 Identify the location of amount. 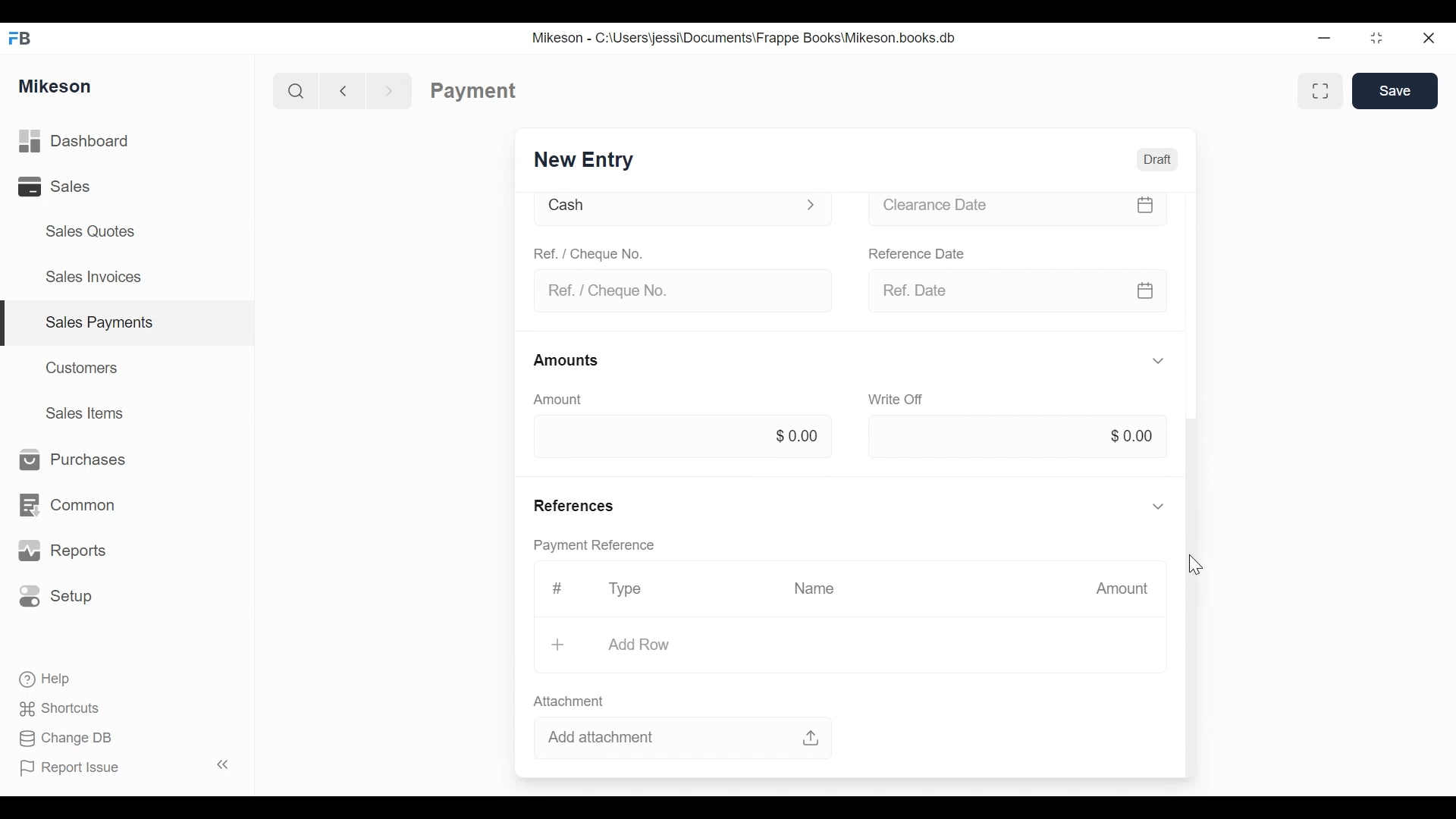
(1122, 588).